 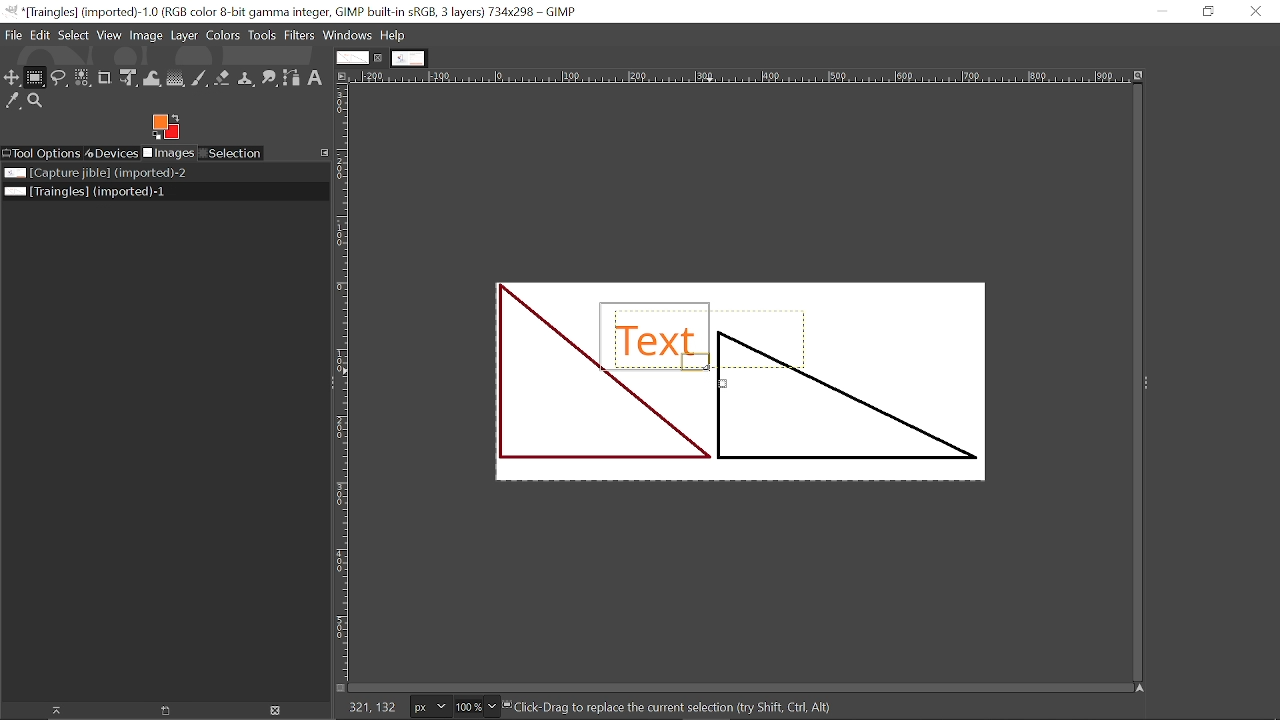 I want to click on Zoom tool, so click(x=37, y=100).